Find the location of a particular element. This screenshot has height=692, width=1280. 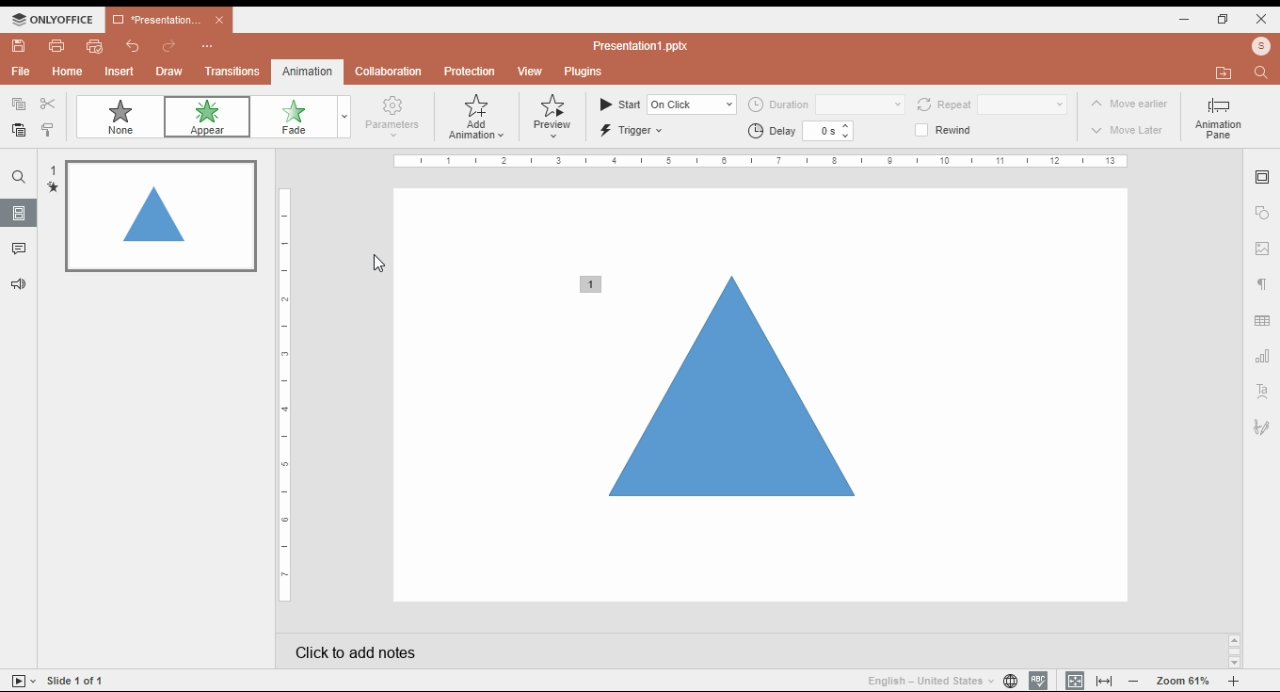

slide 1 is located at coordinates (169, 218).